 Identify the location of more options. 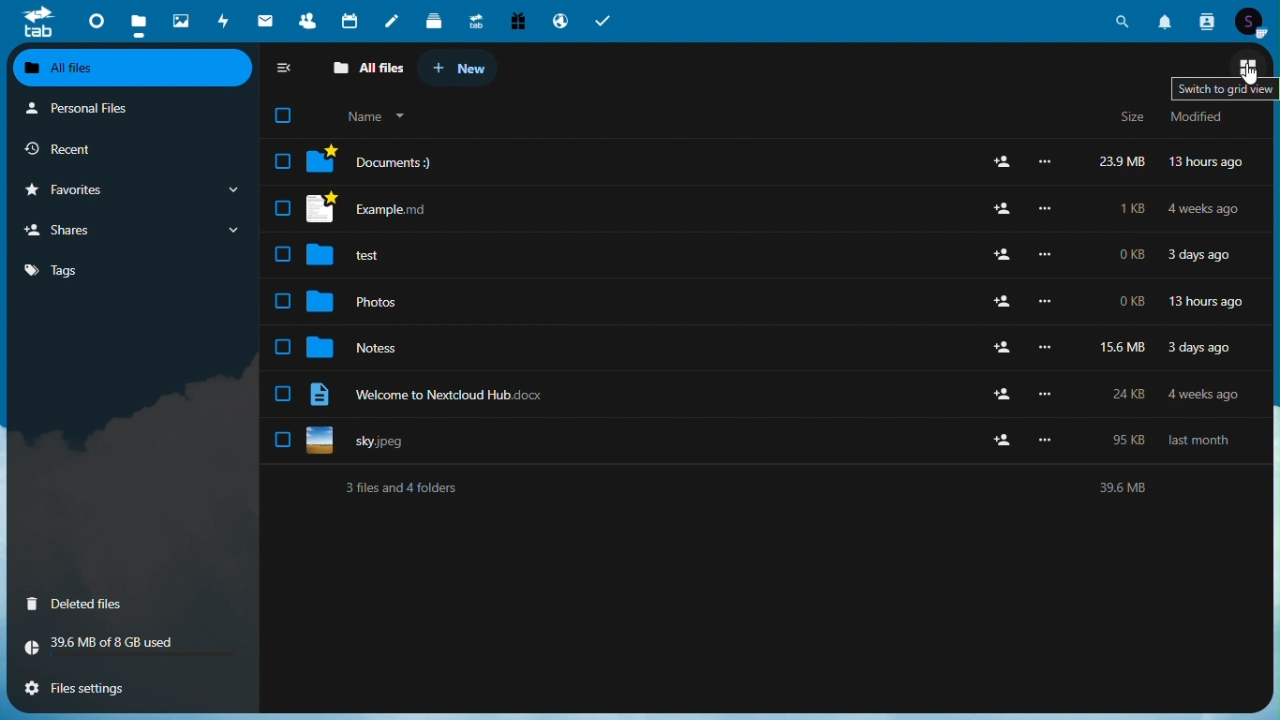
(1044, 440).